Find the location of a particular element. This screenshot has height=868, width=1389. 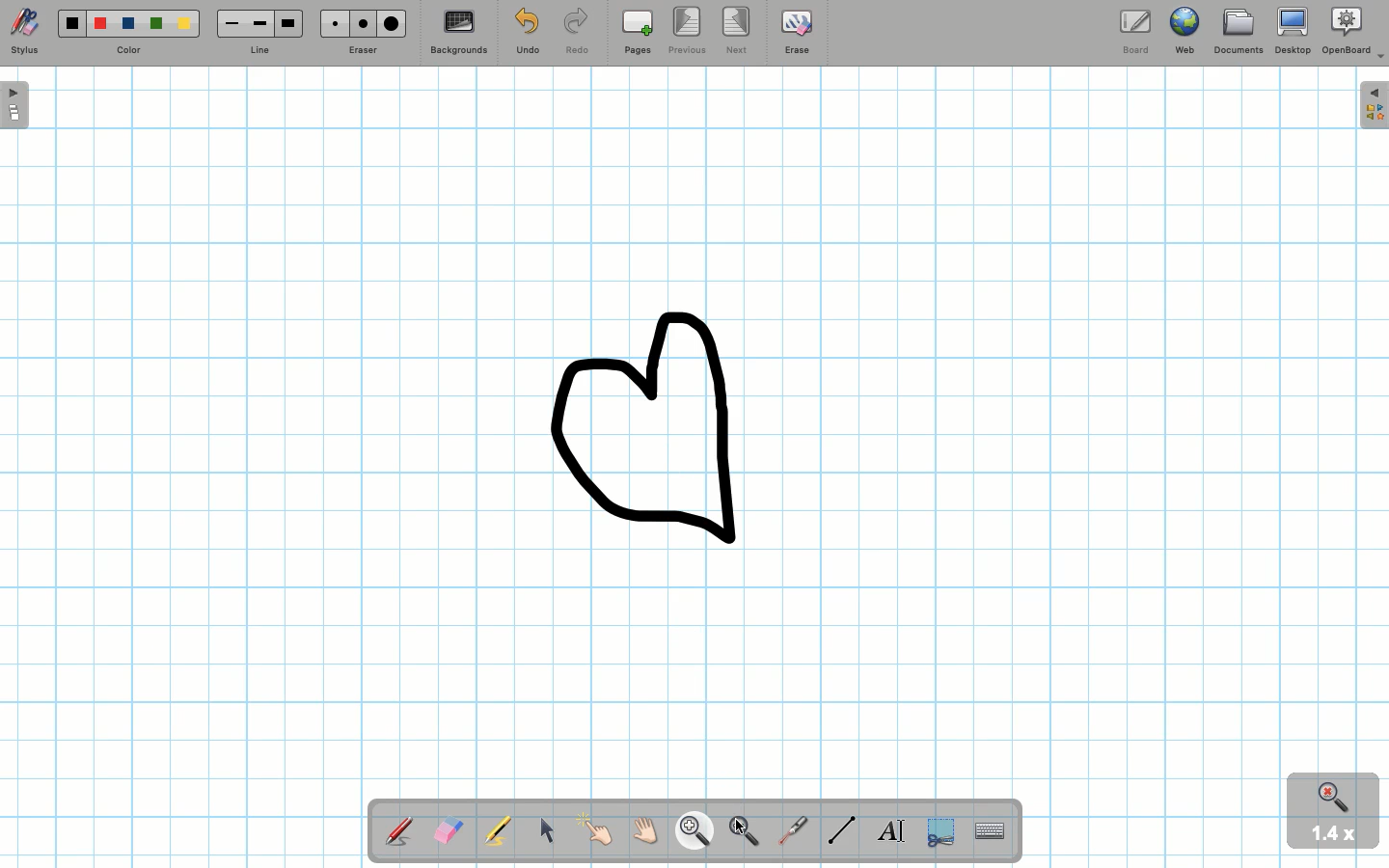

Eraser is located at coordinates (364, 31).